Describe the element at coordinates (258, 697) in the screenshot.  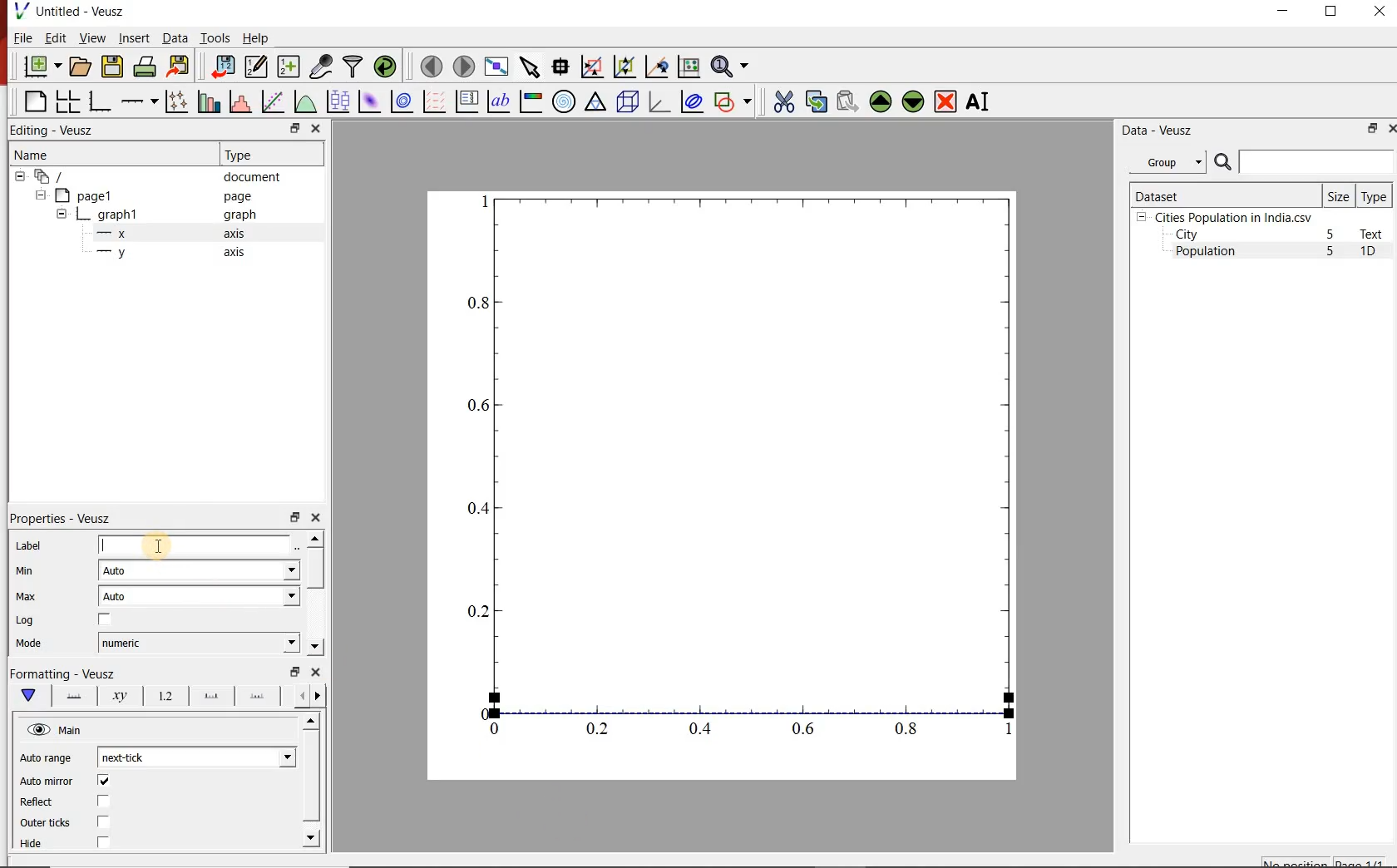
I see `minor ticks` at that location.